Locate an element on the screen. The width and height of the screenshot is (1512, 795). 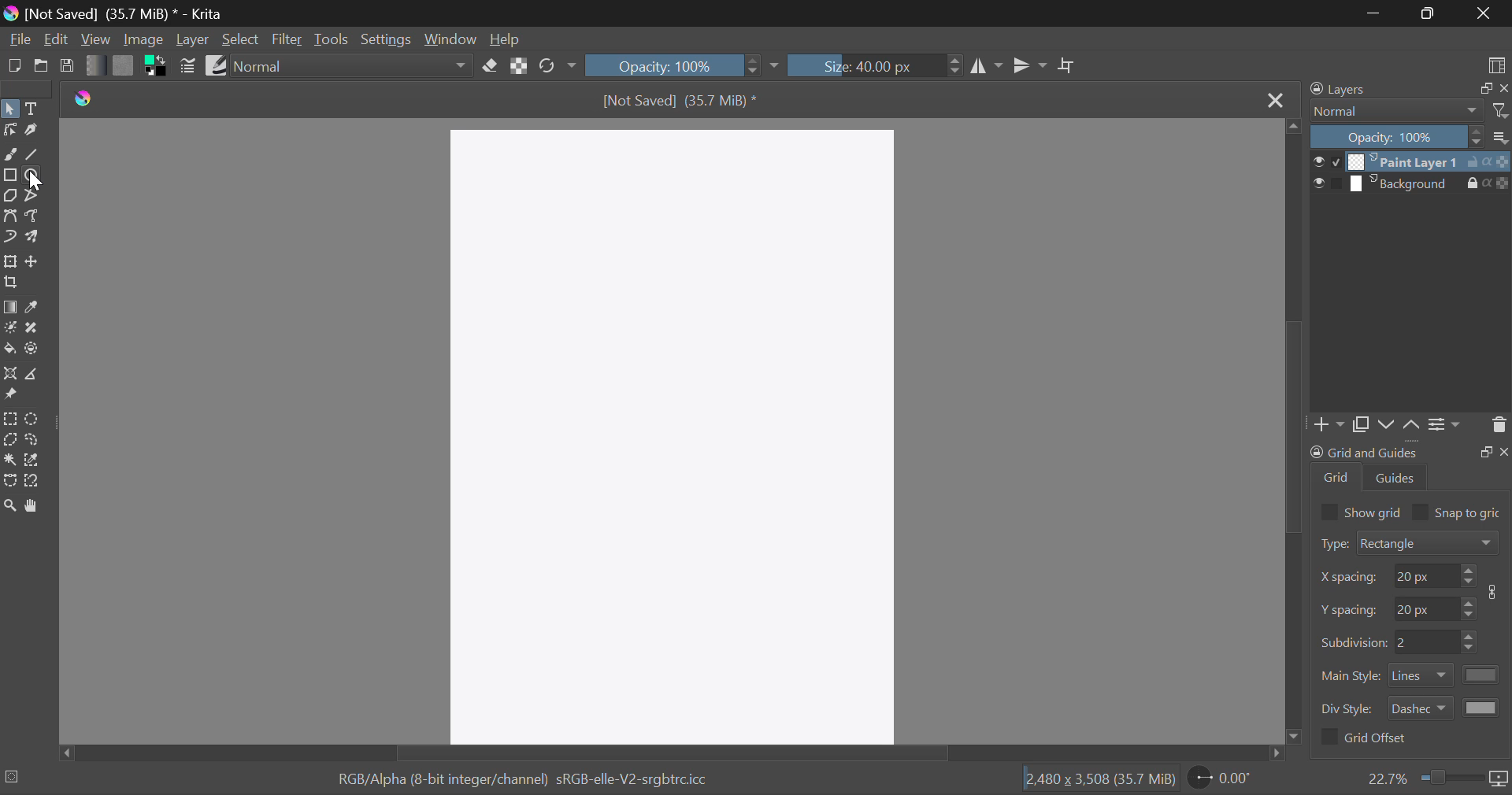
Calligraphic Tool is located at coordinates (32, 130).